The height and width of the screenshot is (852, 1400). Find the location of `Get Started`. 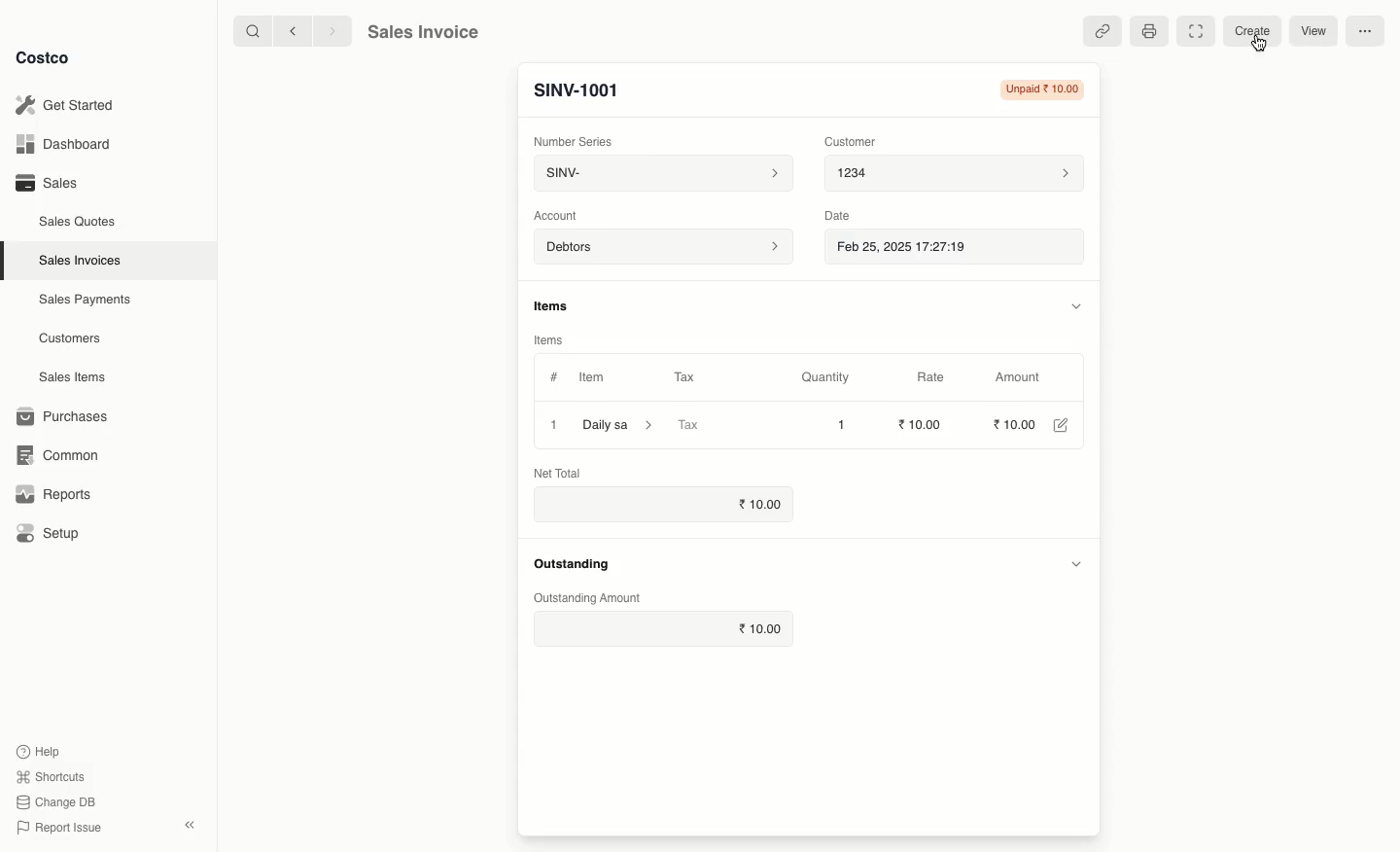

Get Started is located at coordinates (72, 104).